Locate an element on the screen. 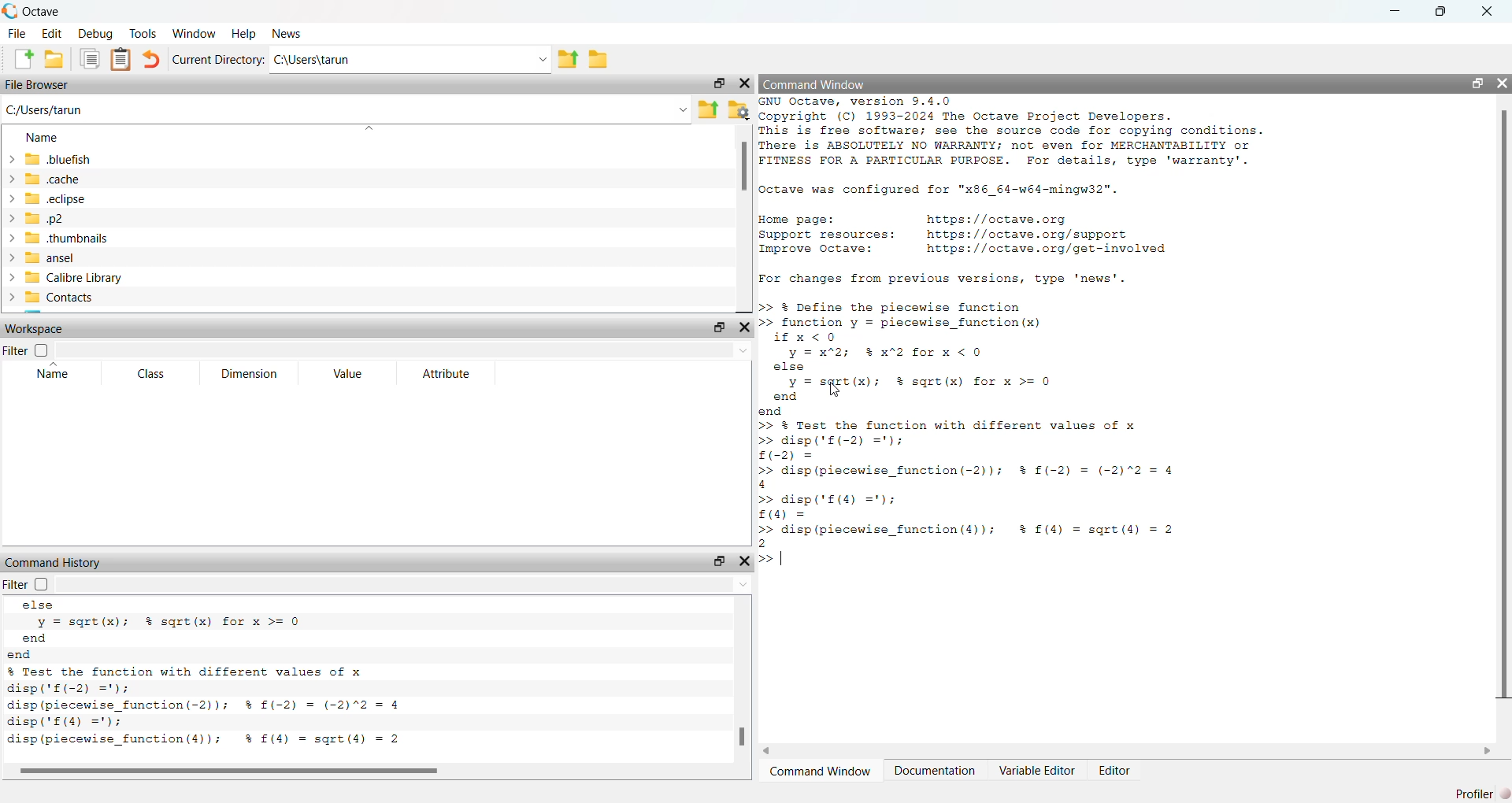 The height and width of the screenshot is (803, 1512). File Browser is located at coordinates (41, 83).